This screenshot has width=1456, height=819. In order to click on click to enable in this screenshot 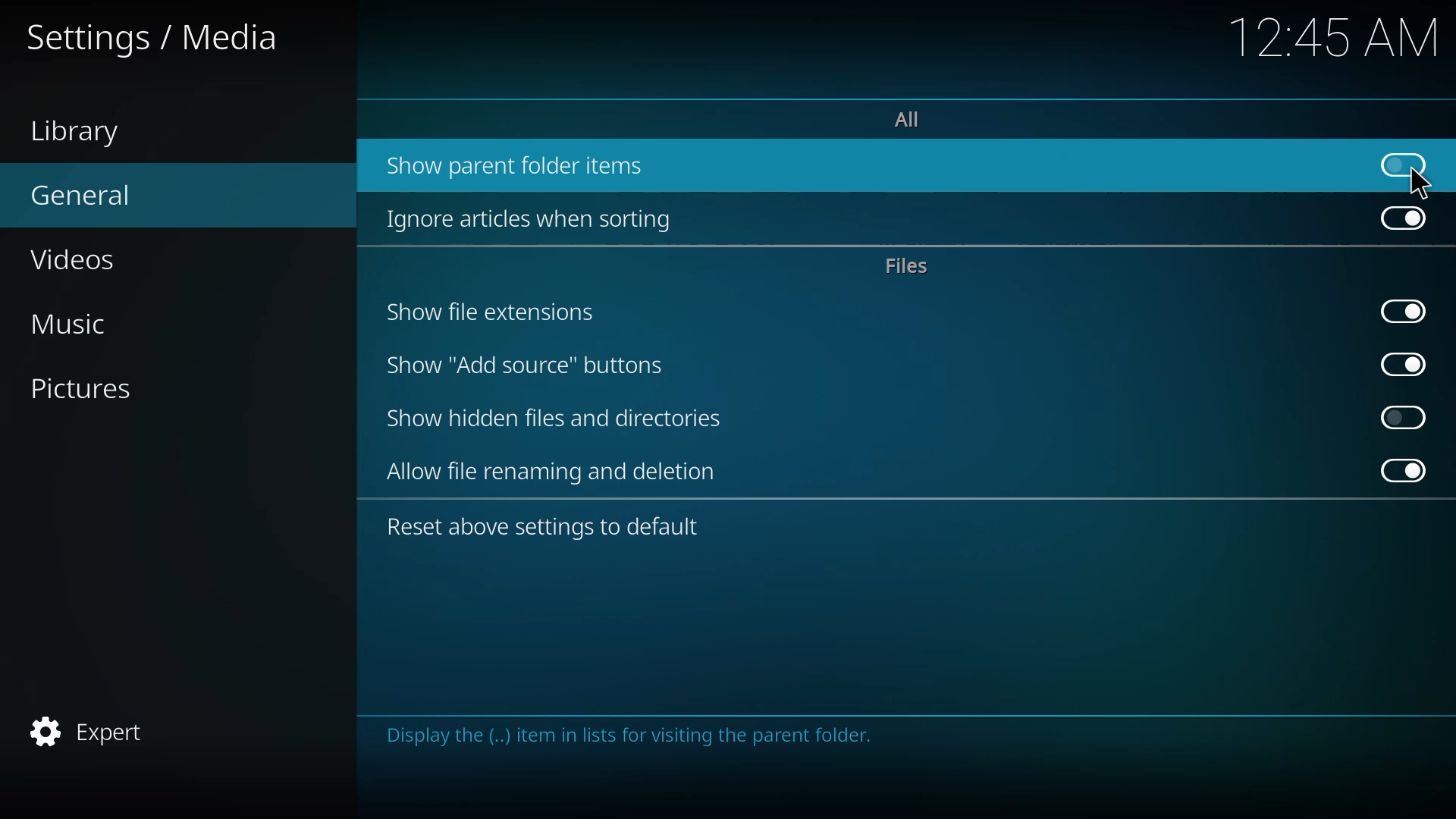, I will do `click(1403, 416)`.